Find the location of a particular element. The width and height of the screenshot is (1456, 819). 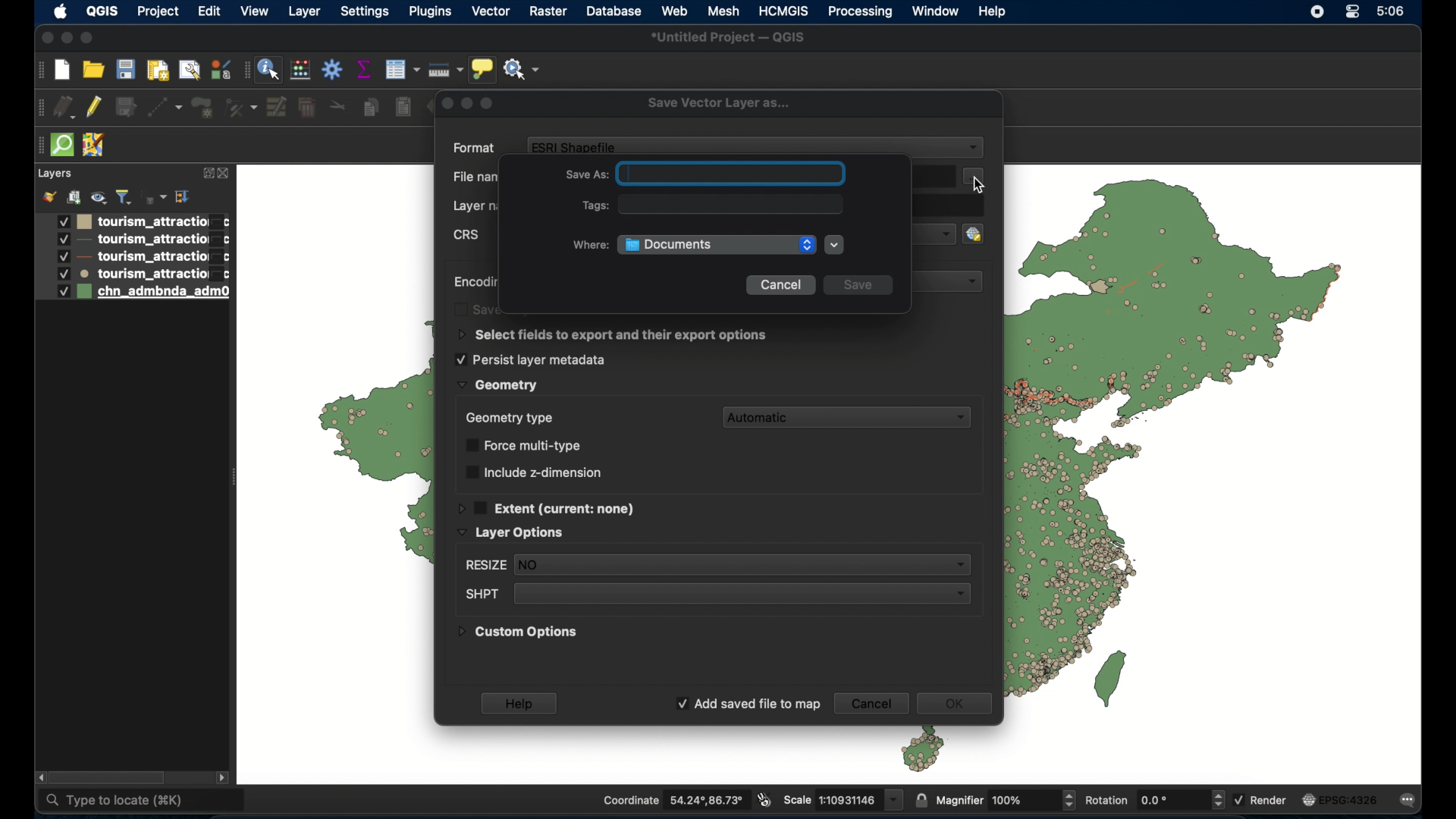

persist layer metadata is located at coordinates (530, 359).